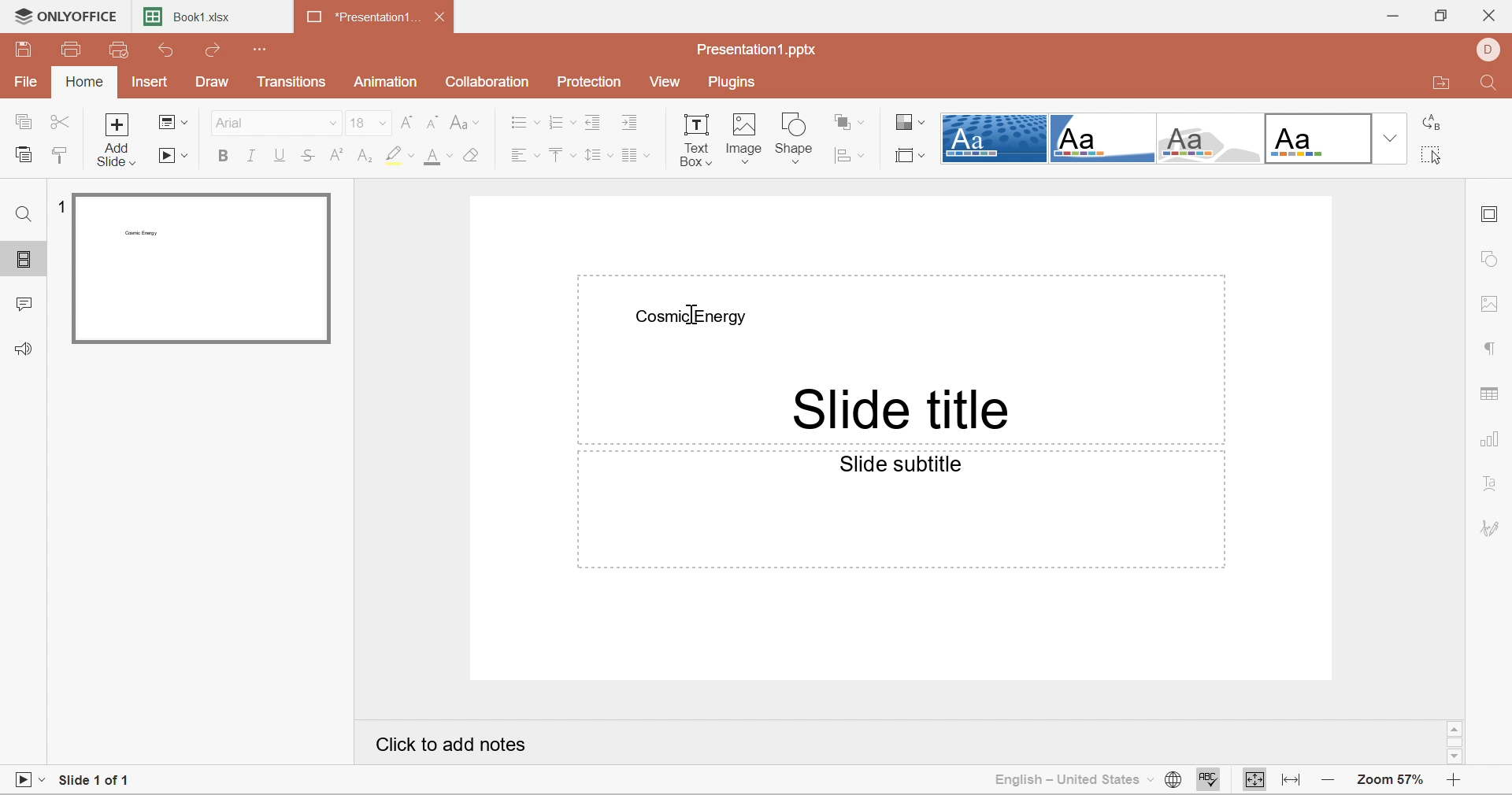 Image resolution: width=1512 pixels, height=795 pixels. I want to click on Font color, so click(440, 157).